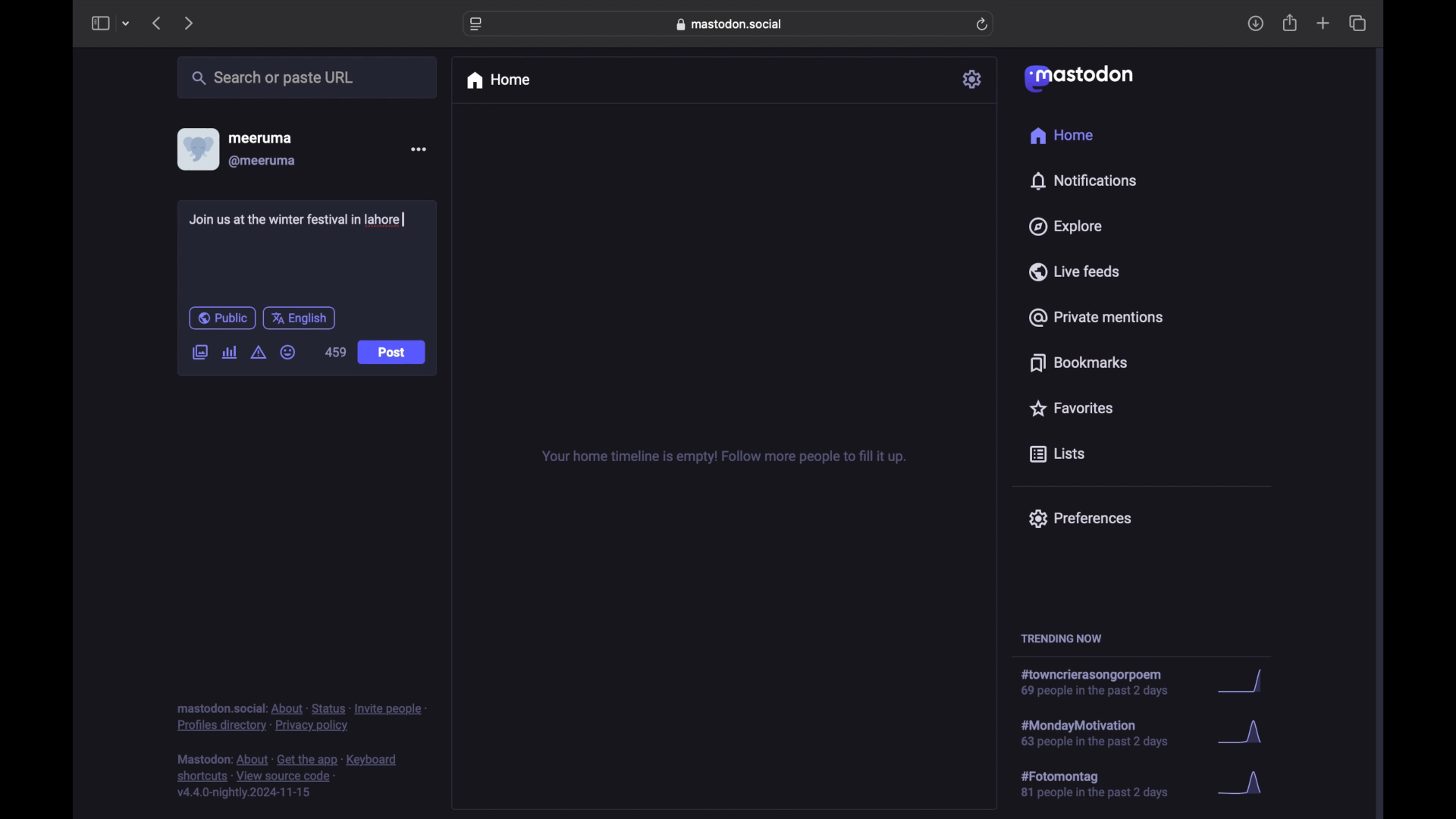 The image size is (1456, 819). Describe the element at coordinates (290, 777) in the screenshot. I see `footnote` at that location.